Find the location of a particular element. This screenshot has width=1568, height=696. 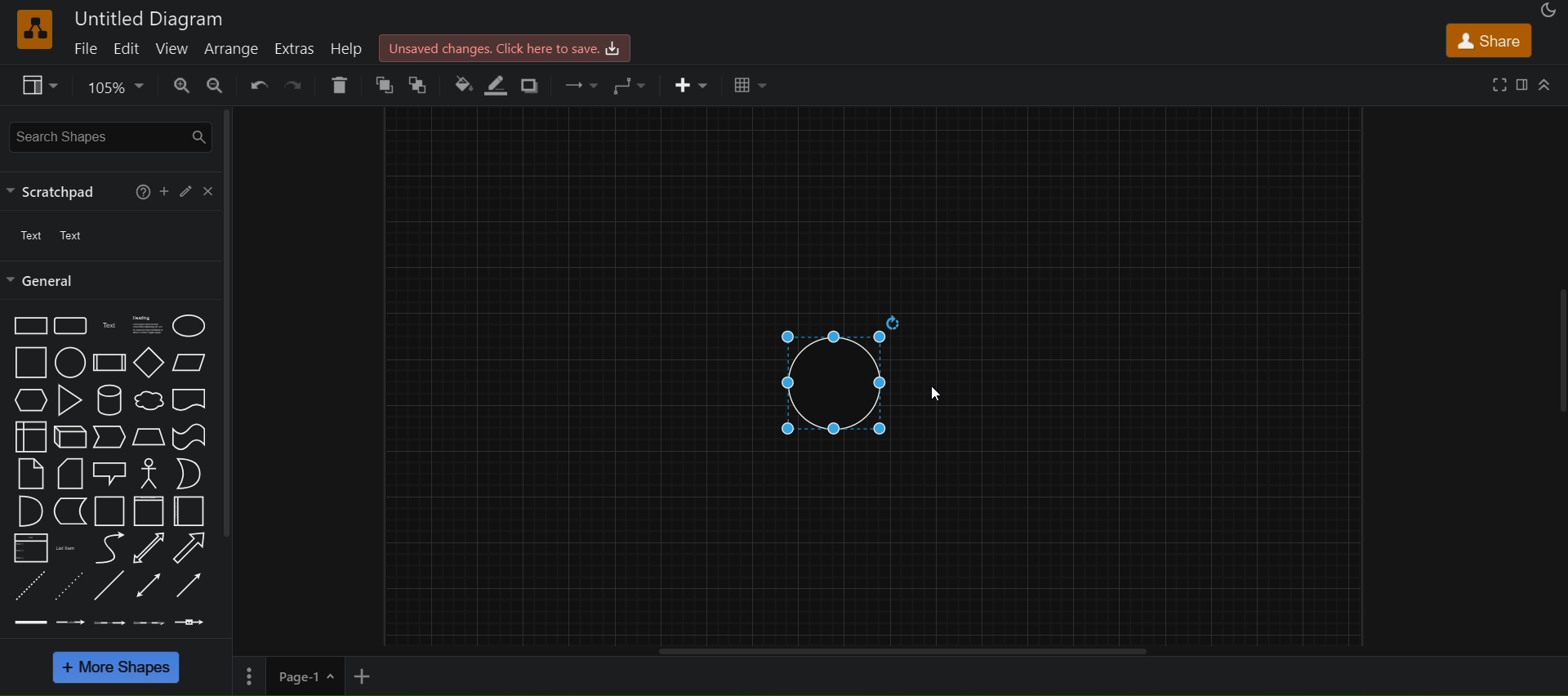

dashed line is located at coordinates (28, 586).